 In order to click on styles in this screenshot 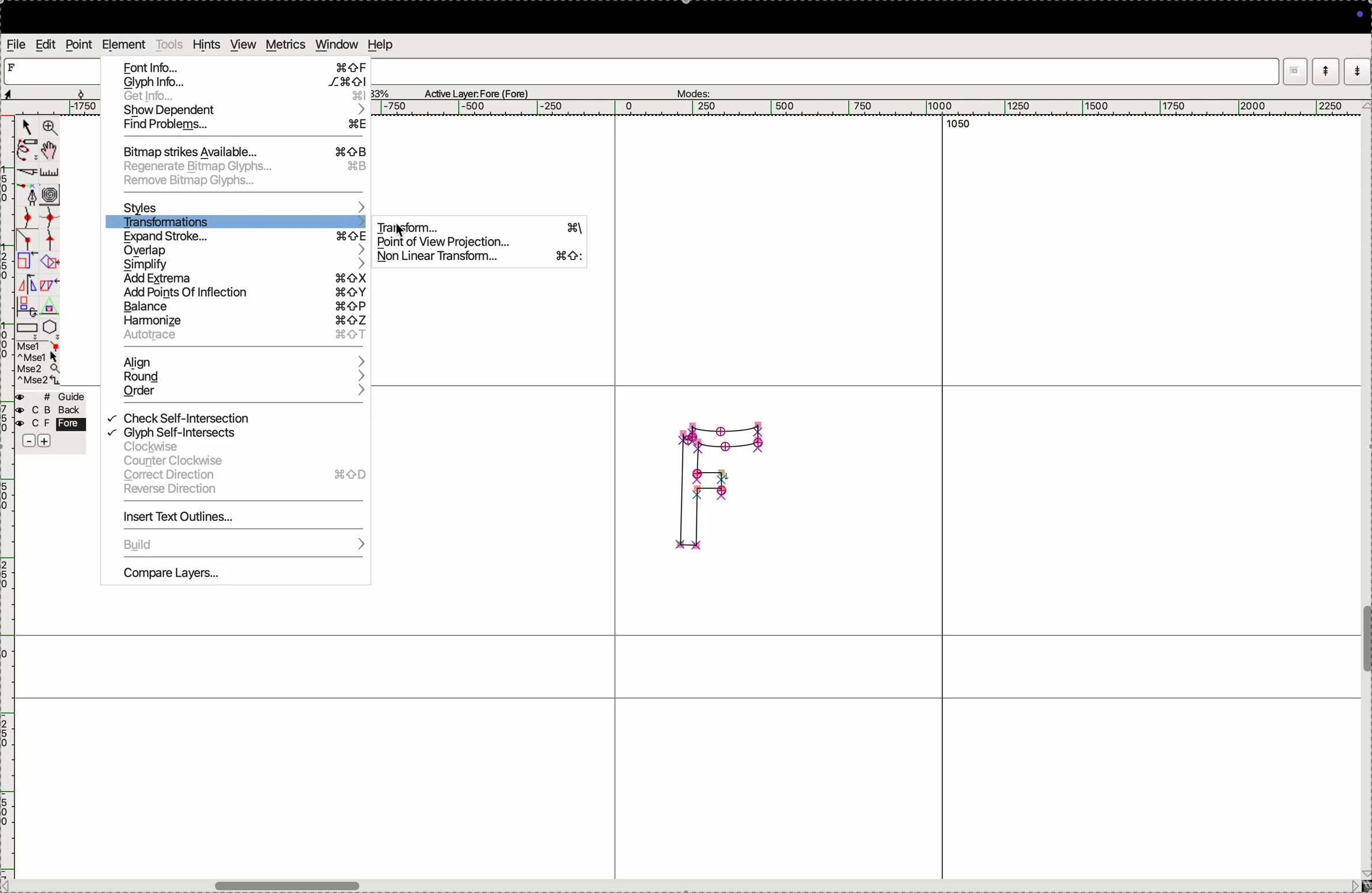, I will do `click(246, 206)`.